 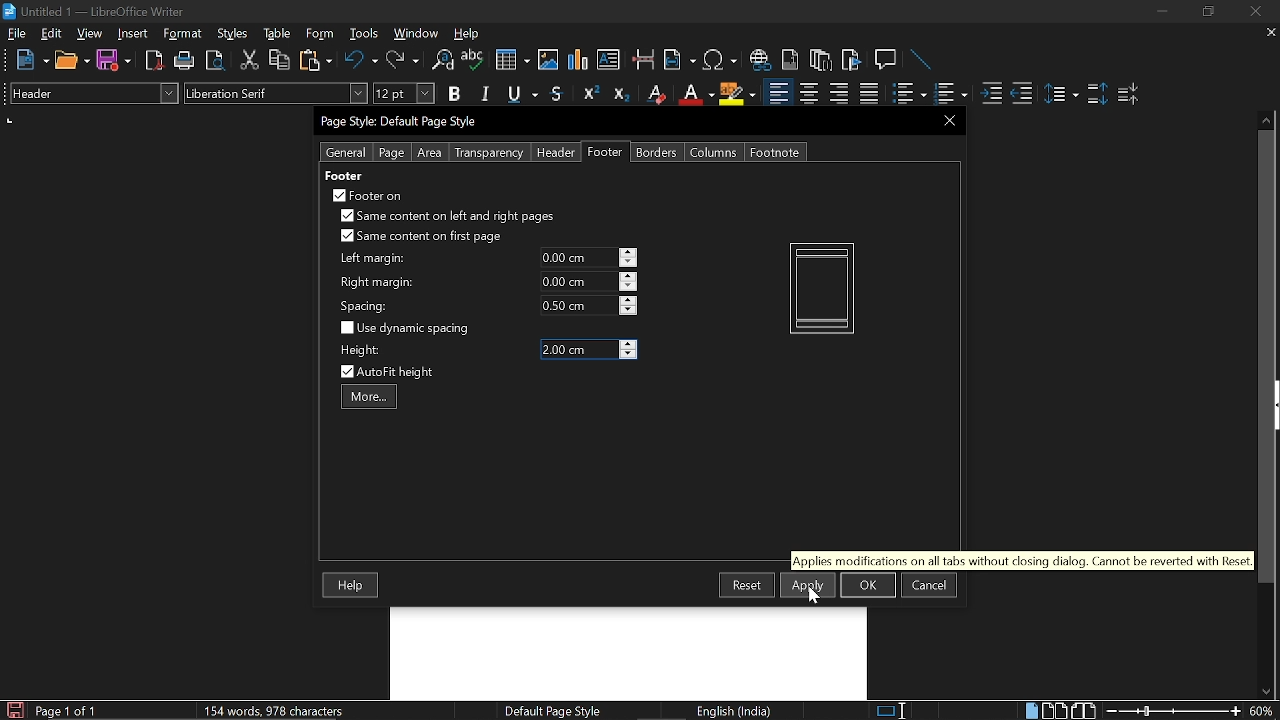 What do you see at coordinates (550, 59) in the screenshot?
I see `Insert image` at bounding box center [550, 59].